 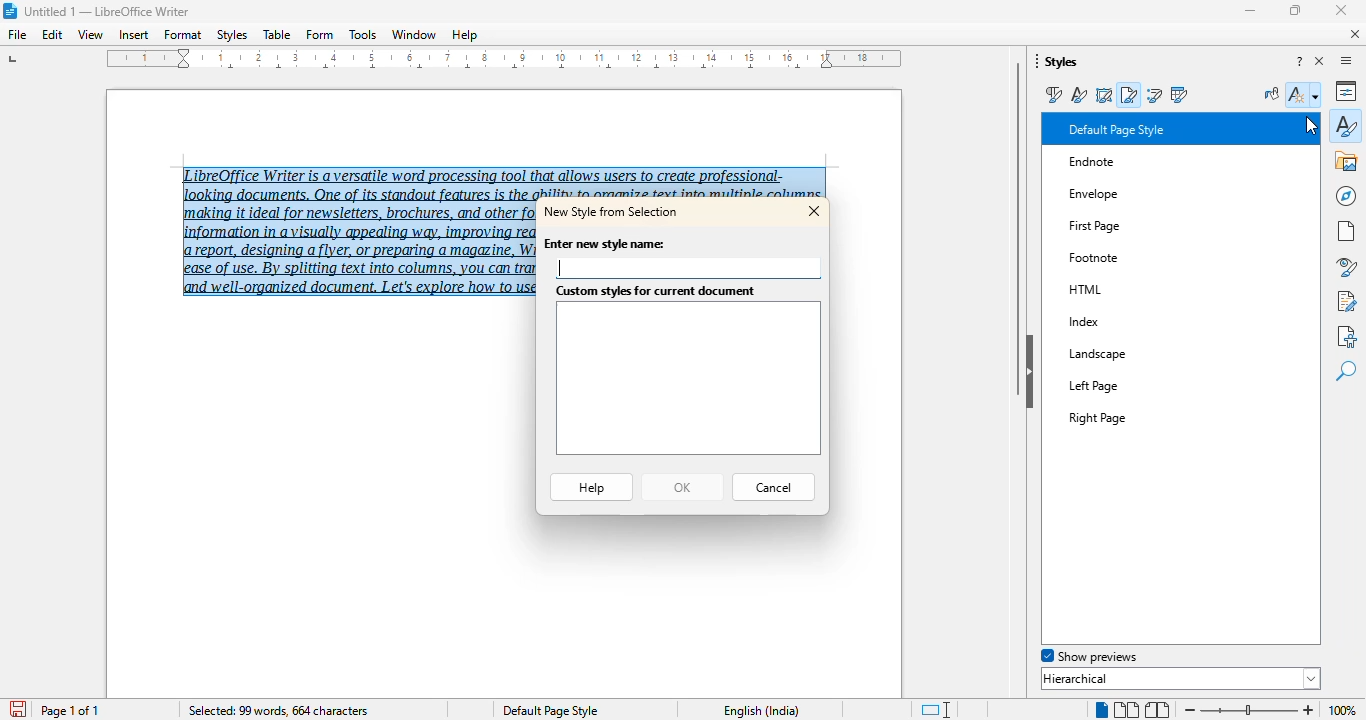 I want to click on book view, so click(x=1157, y=710).